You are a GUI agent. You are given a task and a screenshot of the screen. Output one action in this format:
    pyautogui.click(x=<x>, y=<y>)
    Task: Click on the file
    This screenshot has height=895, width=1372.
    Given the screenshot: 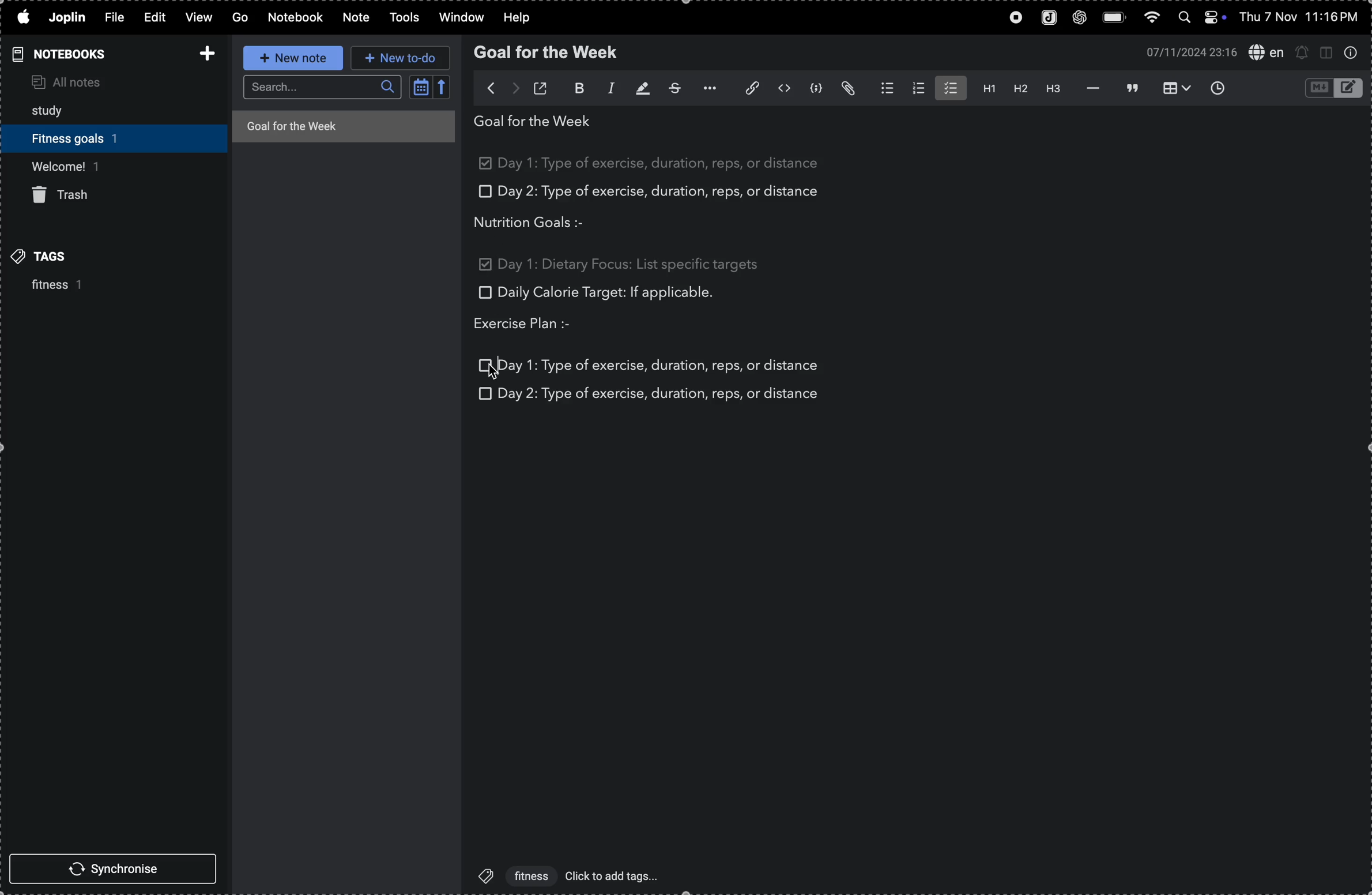 What is the action you would take?
    pyautogui.click(x=118, y=18)
    